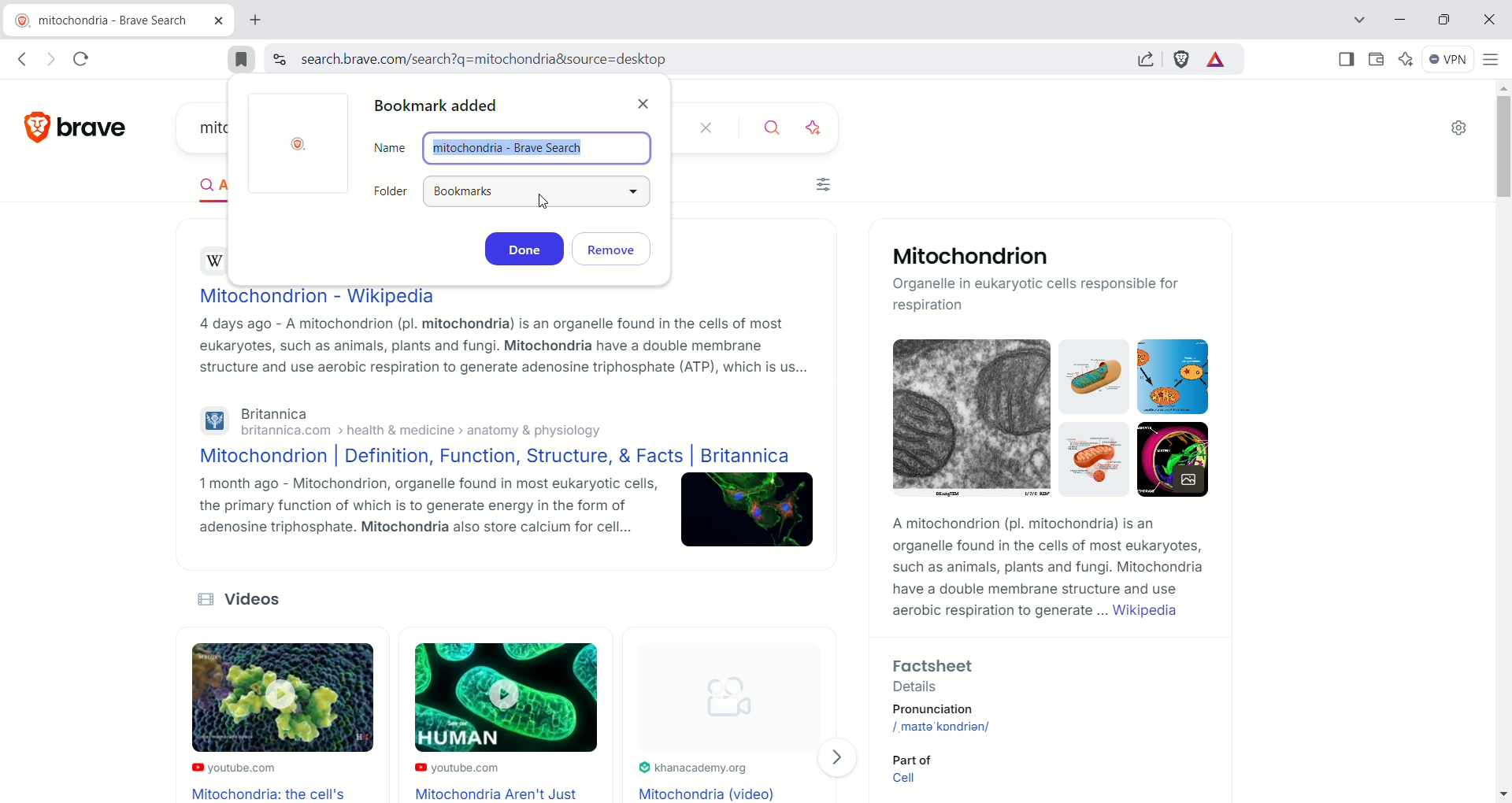 This screenshot has height=803, width=1512. I want to click on Brave logo, so click(301, 145).